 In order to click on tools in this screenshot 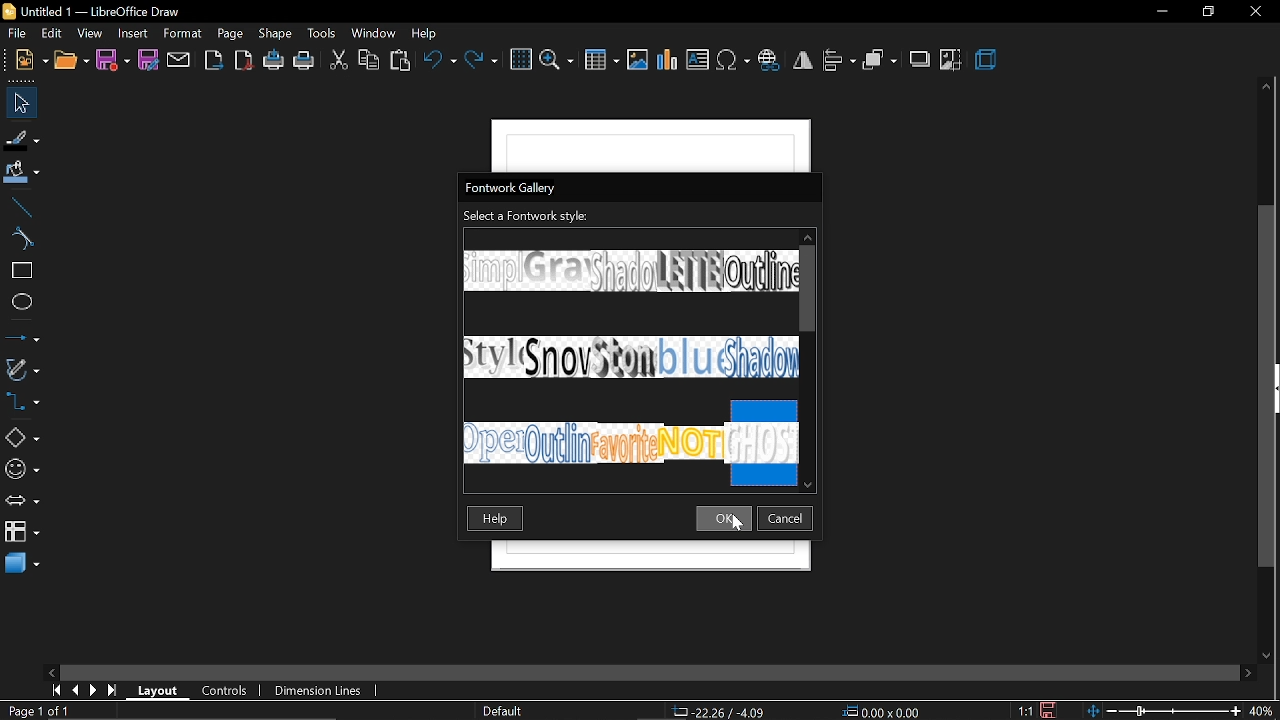, I will do `click(322, 34)`.